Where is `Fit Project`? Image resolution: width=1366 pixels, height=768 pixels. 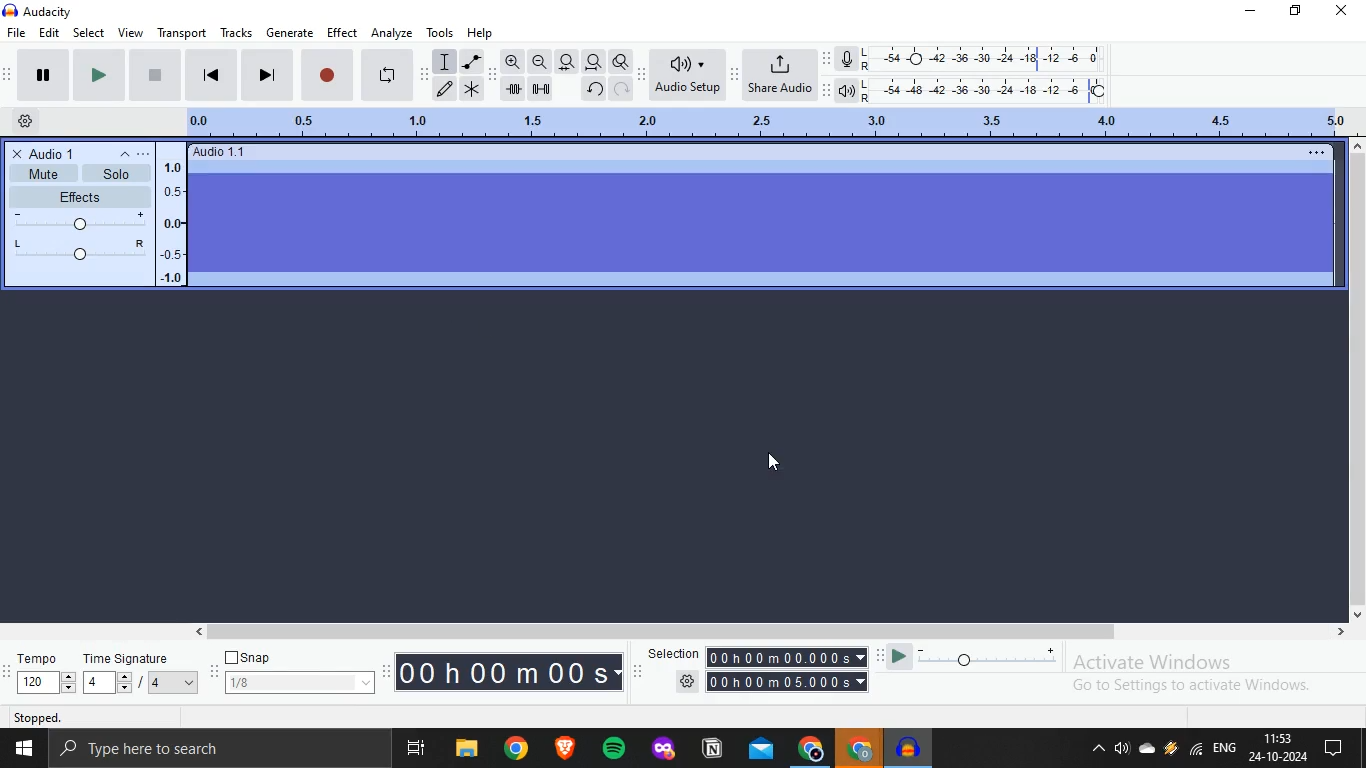 Fit Project is located at coordinates (593, 61).